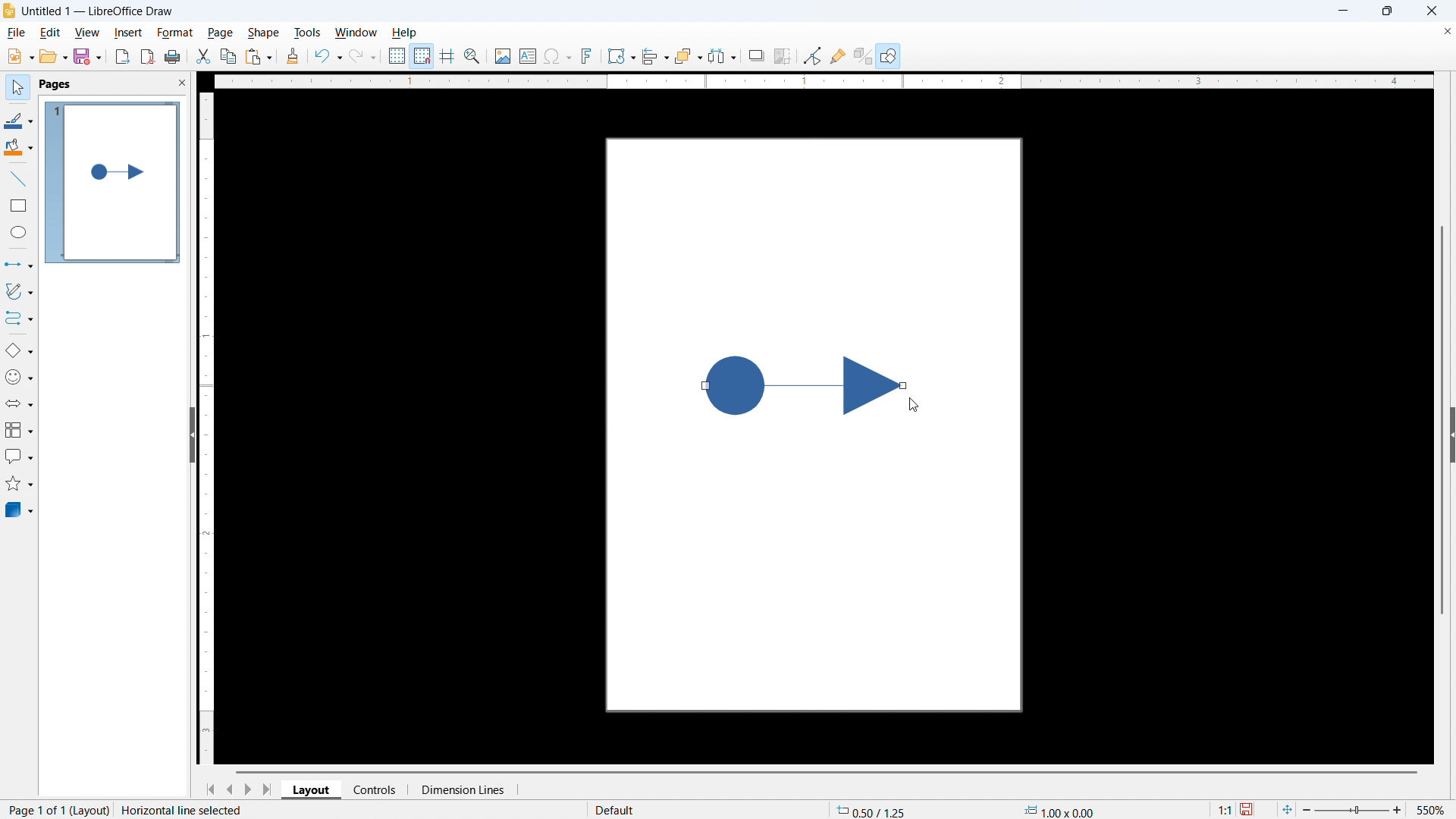  What do you see at coordinates (20, 510) in the screenshot?
I see `3d objects` at bounding box center [20, 510].